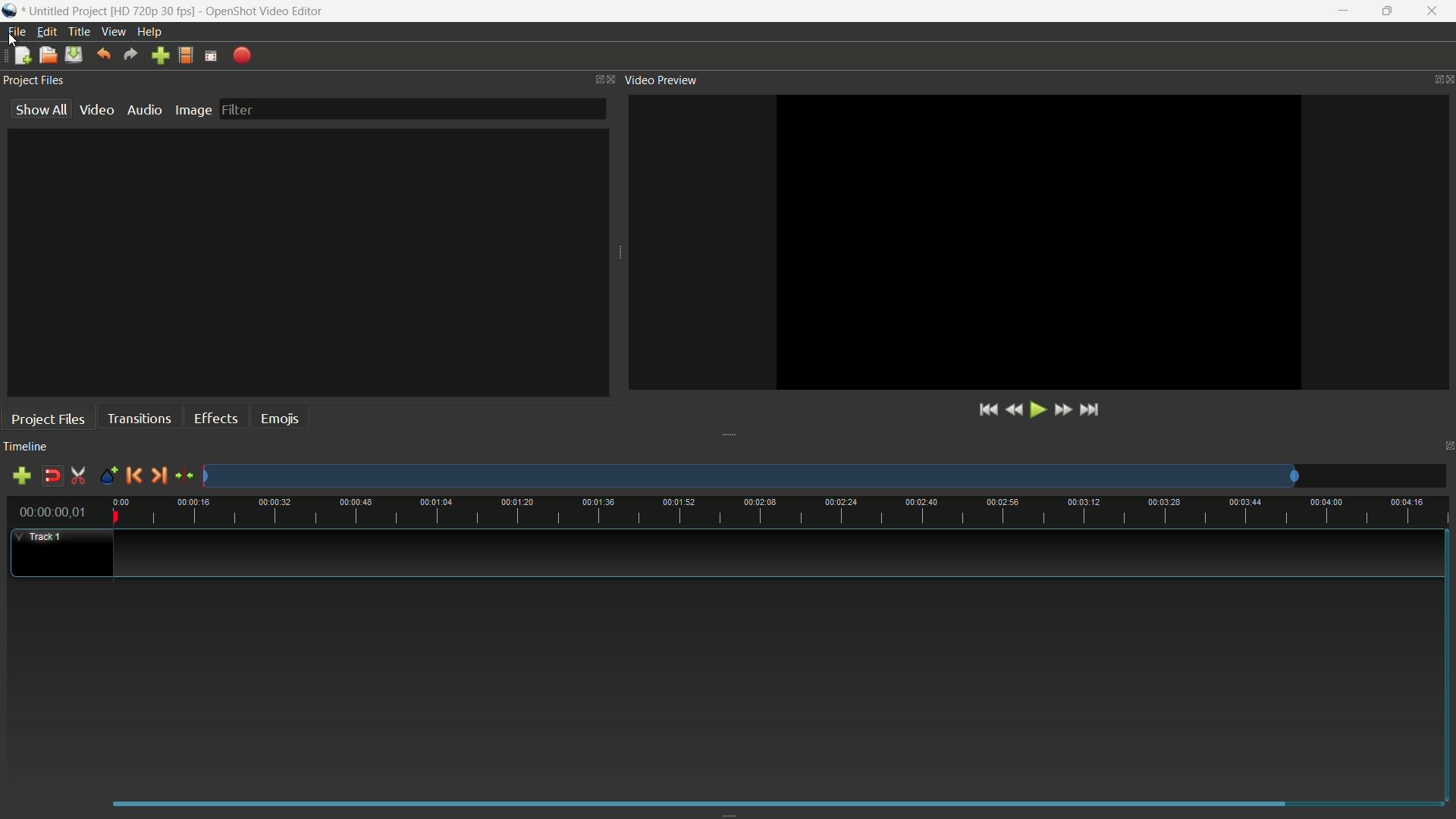 The image size is (1456, 819). What do you see at coordinates (412, 108) in the screenshot?
I see `filter` at bounding box center [412, 108].